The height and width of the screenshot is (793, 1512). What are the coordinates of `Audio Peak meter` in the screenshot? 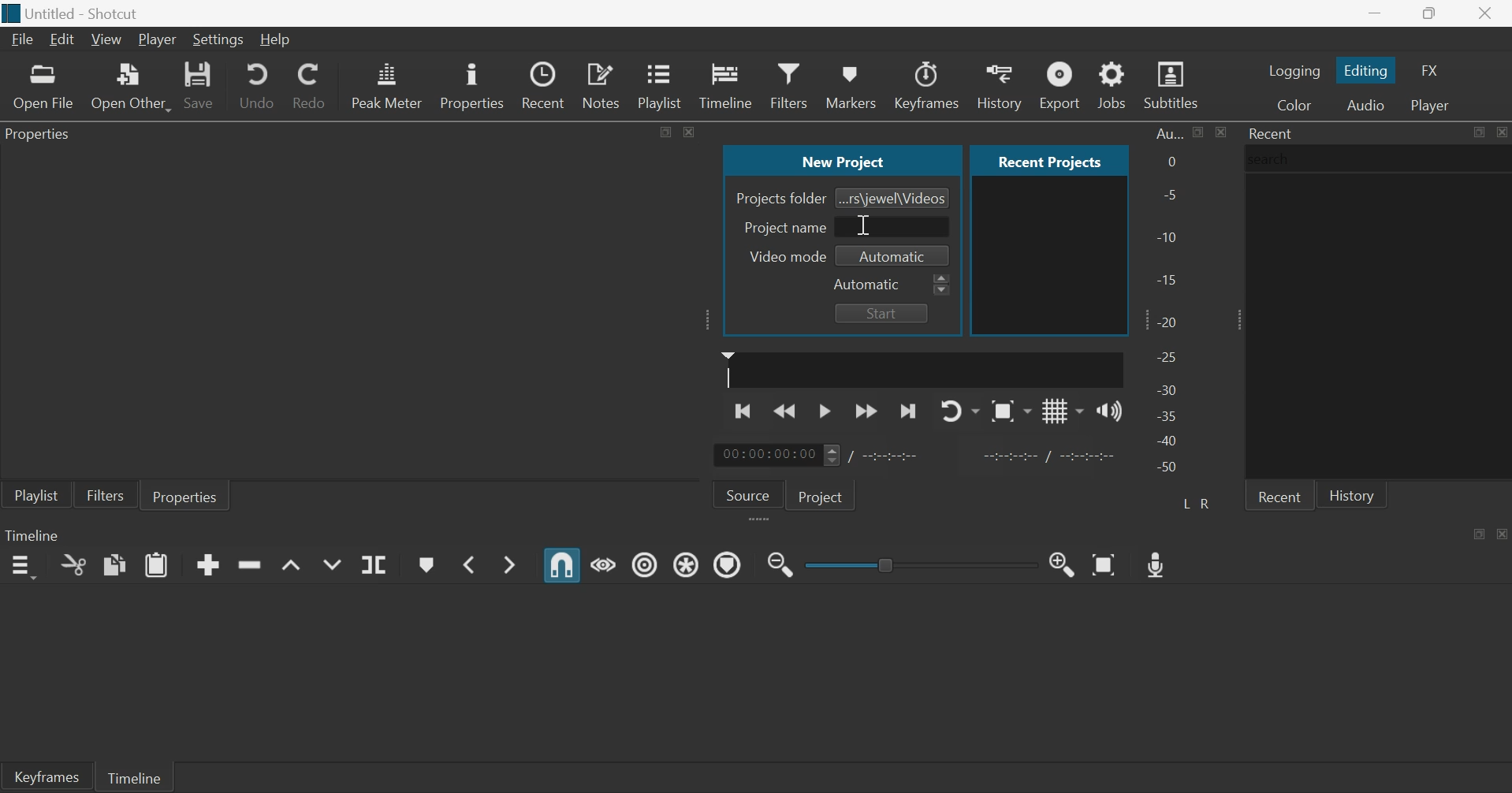 It's located at (1169, 303).